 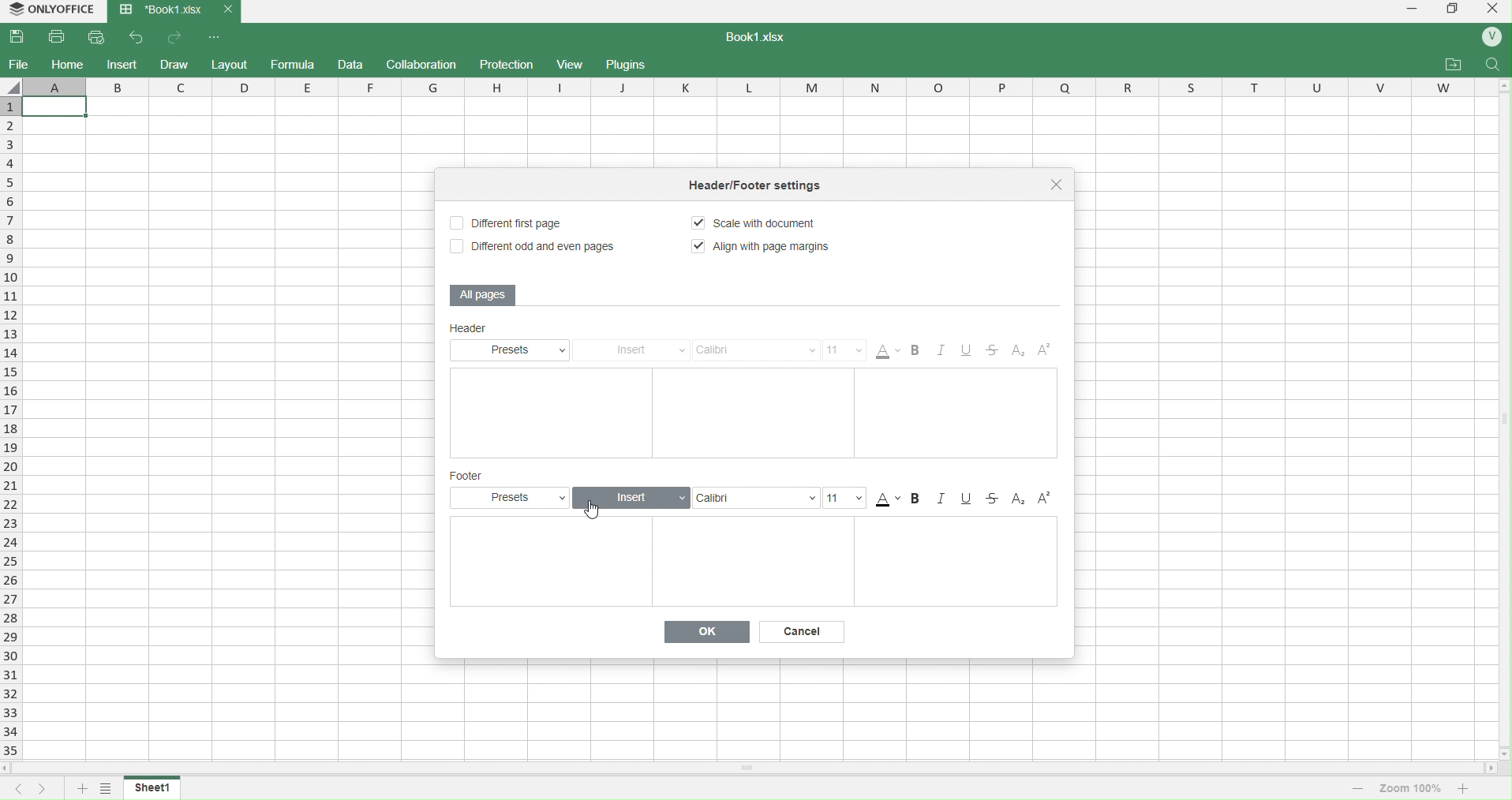 I want to click on move left, so click(x=9, y=768).